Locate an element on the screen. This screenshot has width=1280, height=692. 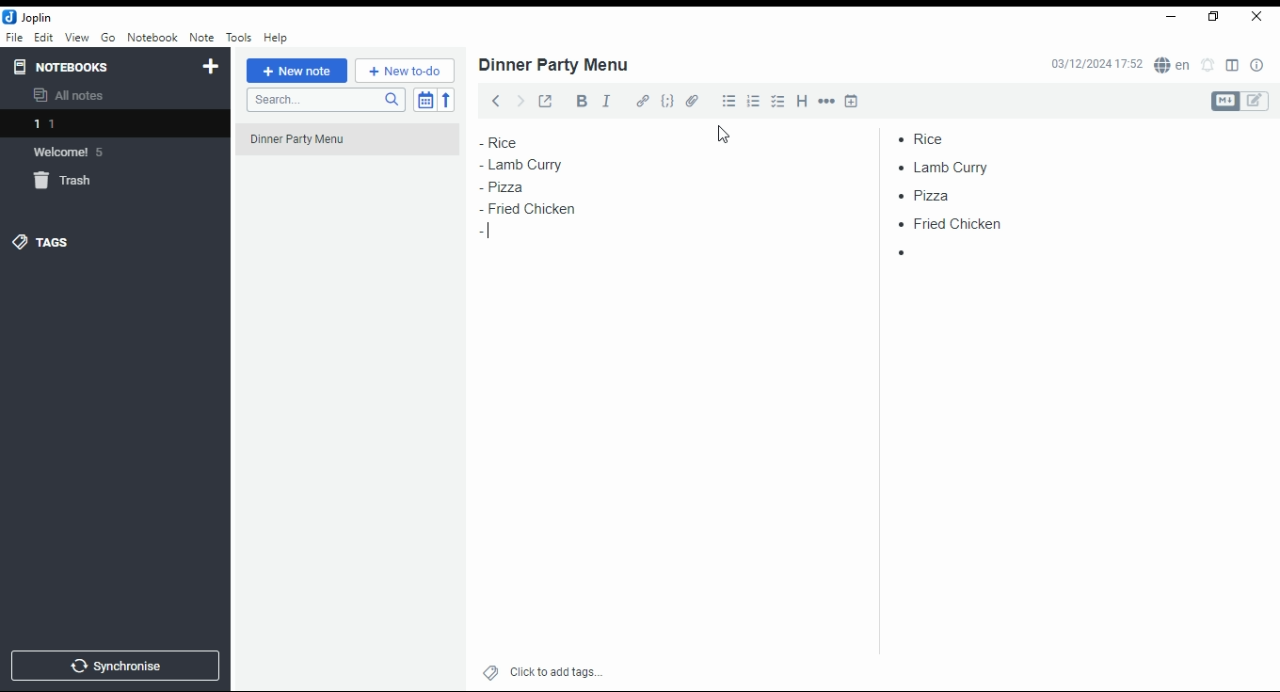
attach file is located at coordinates (695, 100).